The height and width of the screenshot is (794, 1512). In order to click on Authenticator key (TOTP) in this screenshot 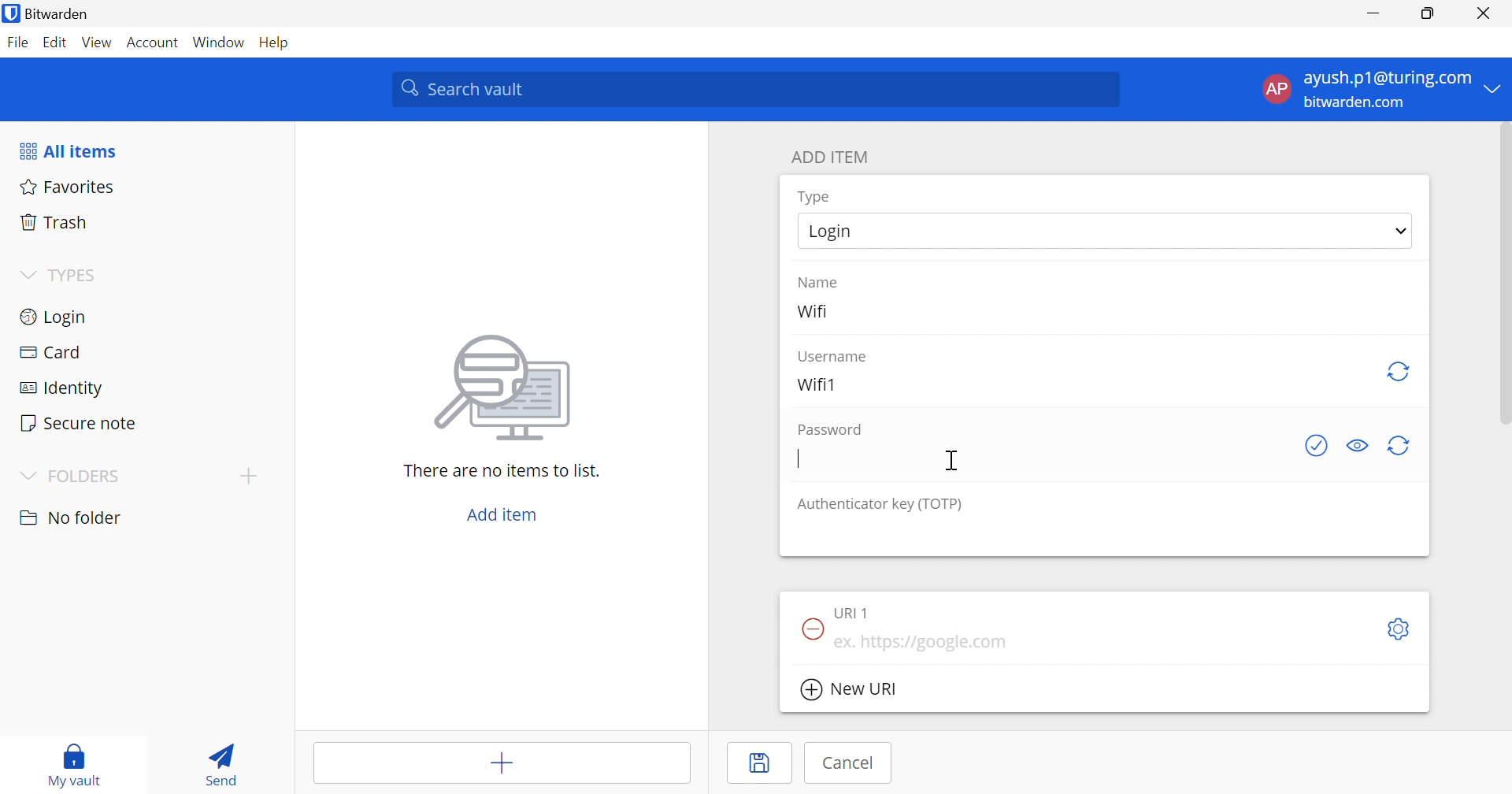, I will do `click(880, 504)`.